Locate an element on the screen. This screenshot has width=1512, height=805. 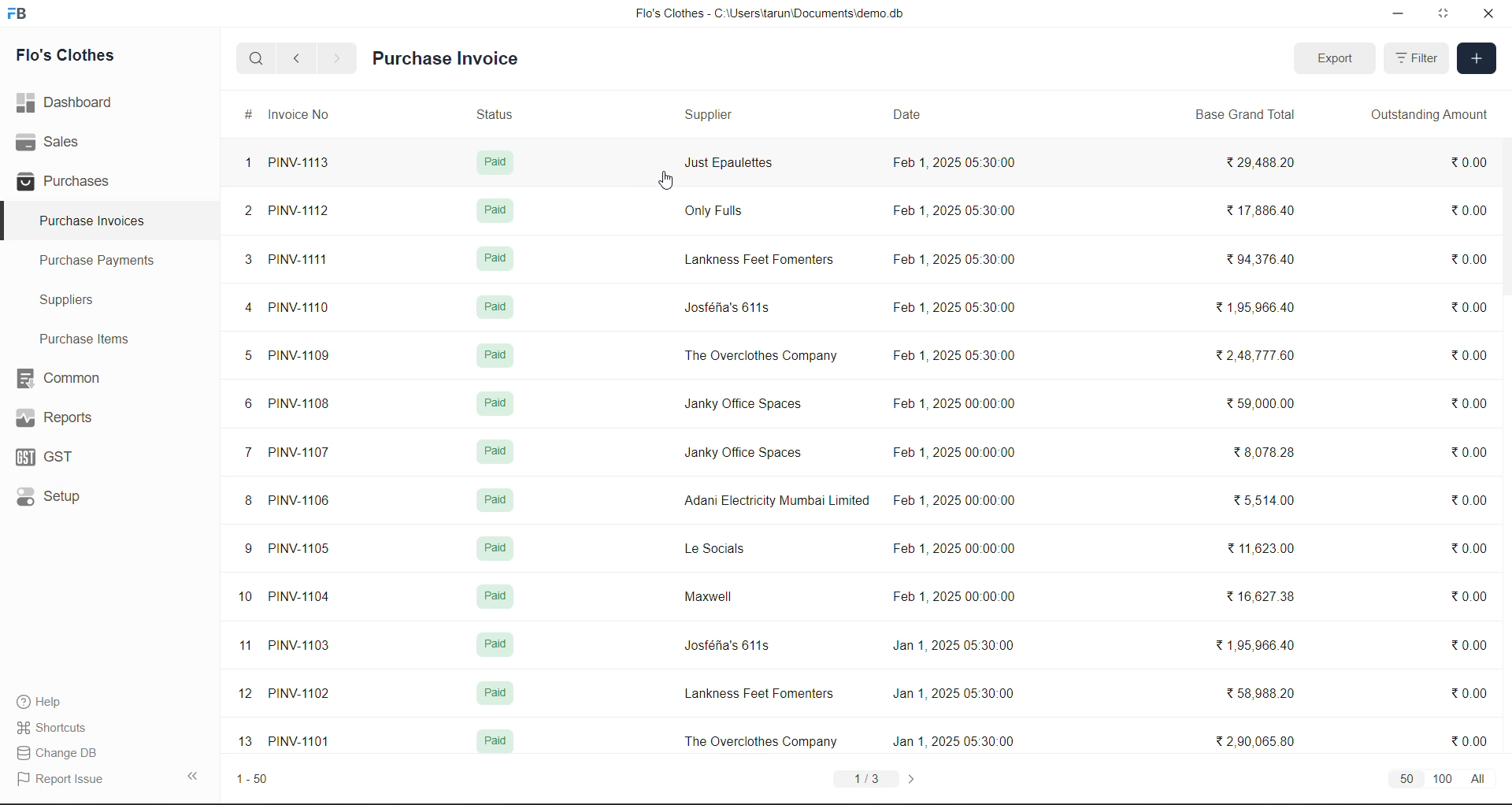
₹358,988.20 is located at coordinates (1265, 693).